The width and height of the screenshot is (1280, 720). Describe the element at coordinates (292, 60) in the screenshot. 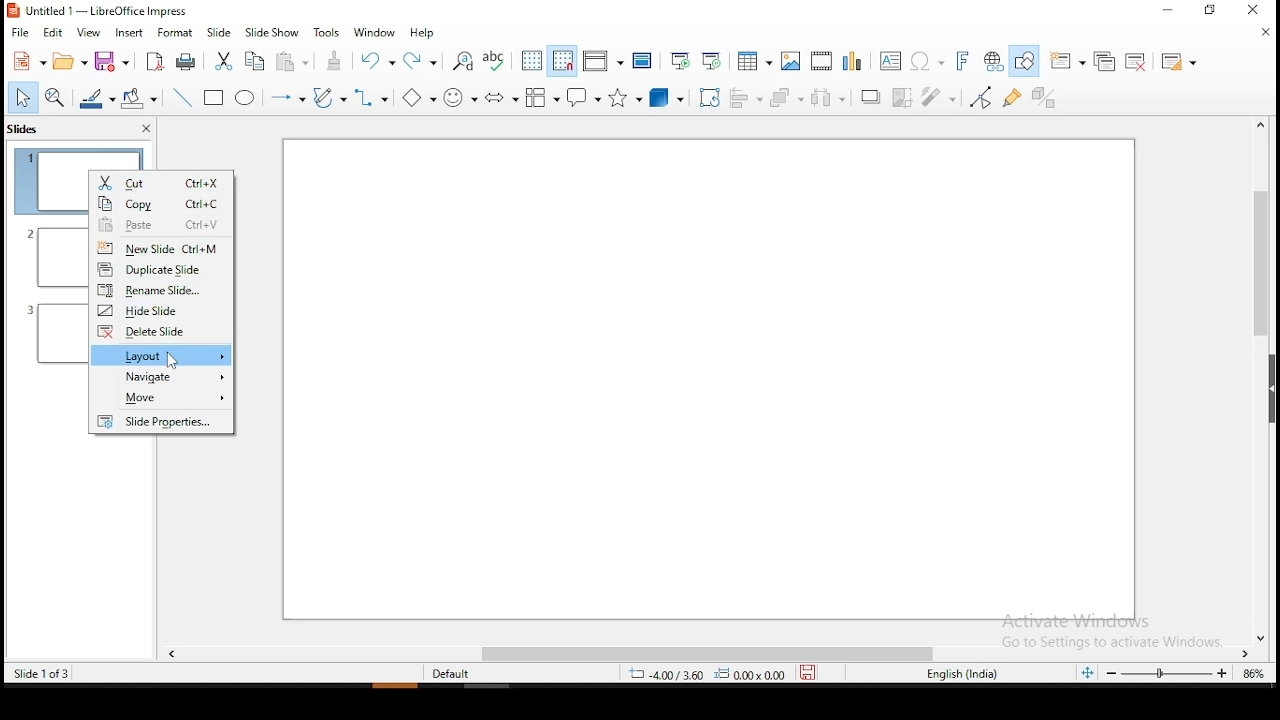

I see `paste` at that location.